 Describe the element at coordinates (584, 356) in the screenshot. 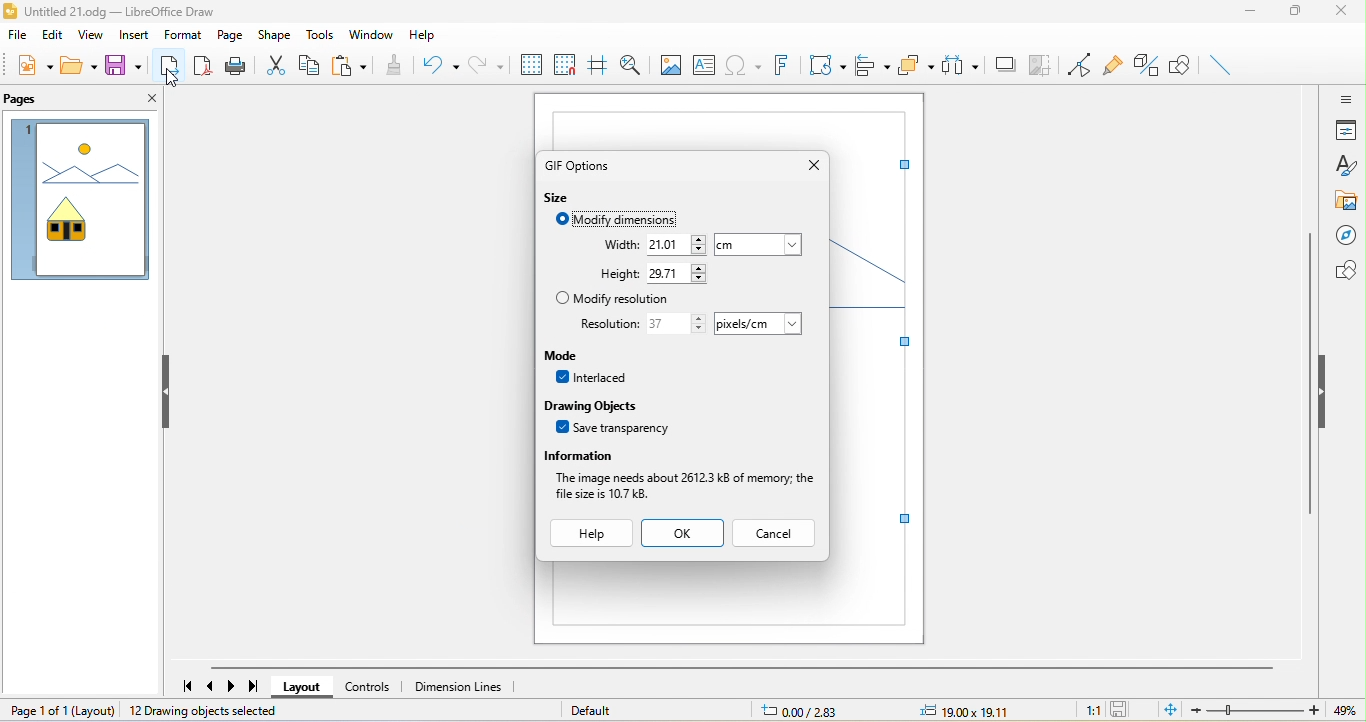

I see `mode` at that location.